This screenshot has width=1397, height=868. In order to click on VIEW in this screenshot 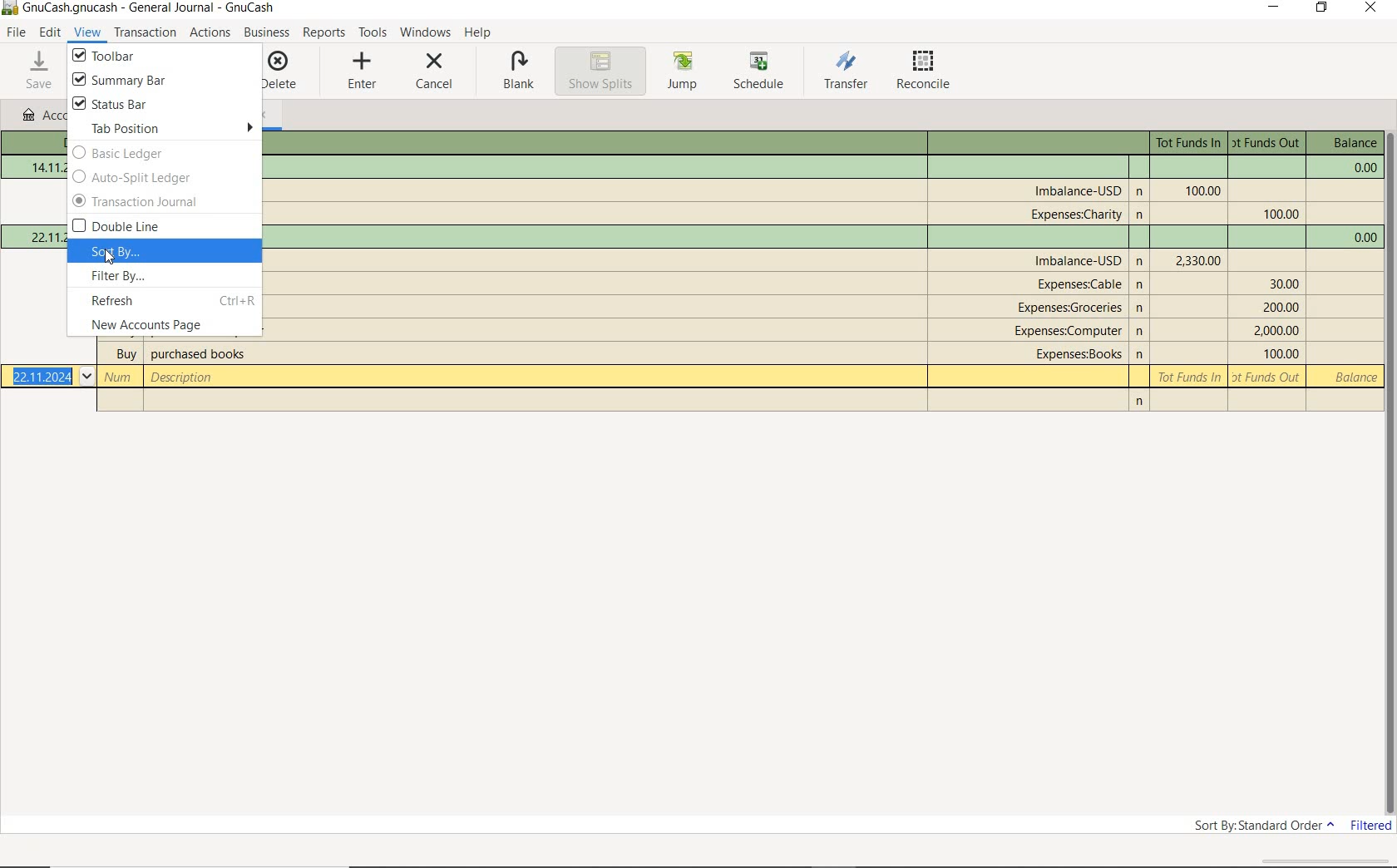, I will do `click(89, 33)`.